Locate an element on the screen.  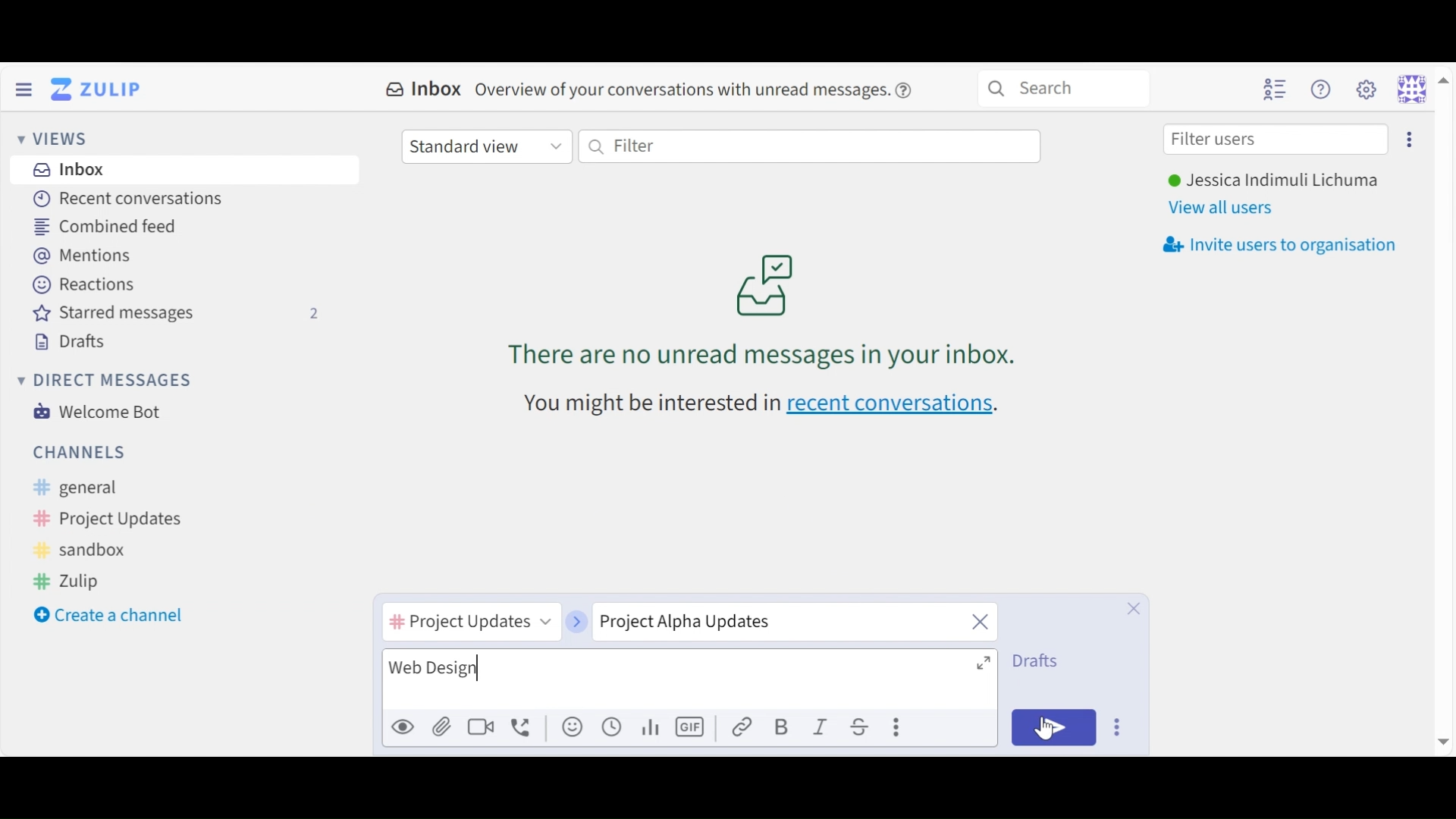
Username is located at coordinates (1272, 181).